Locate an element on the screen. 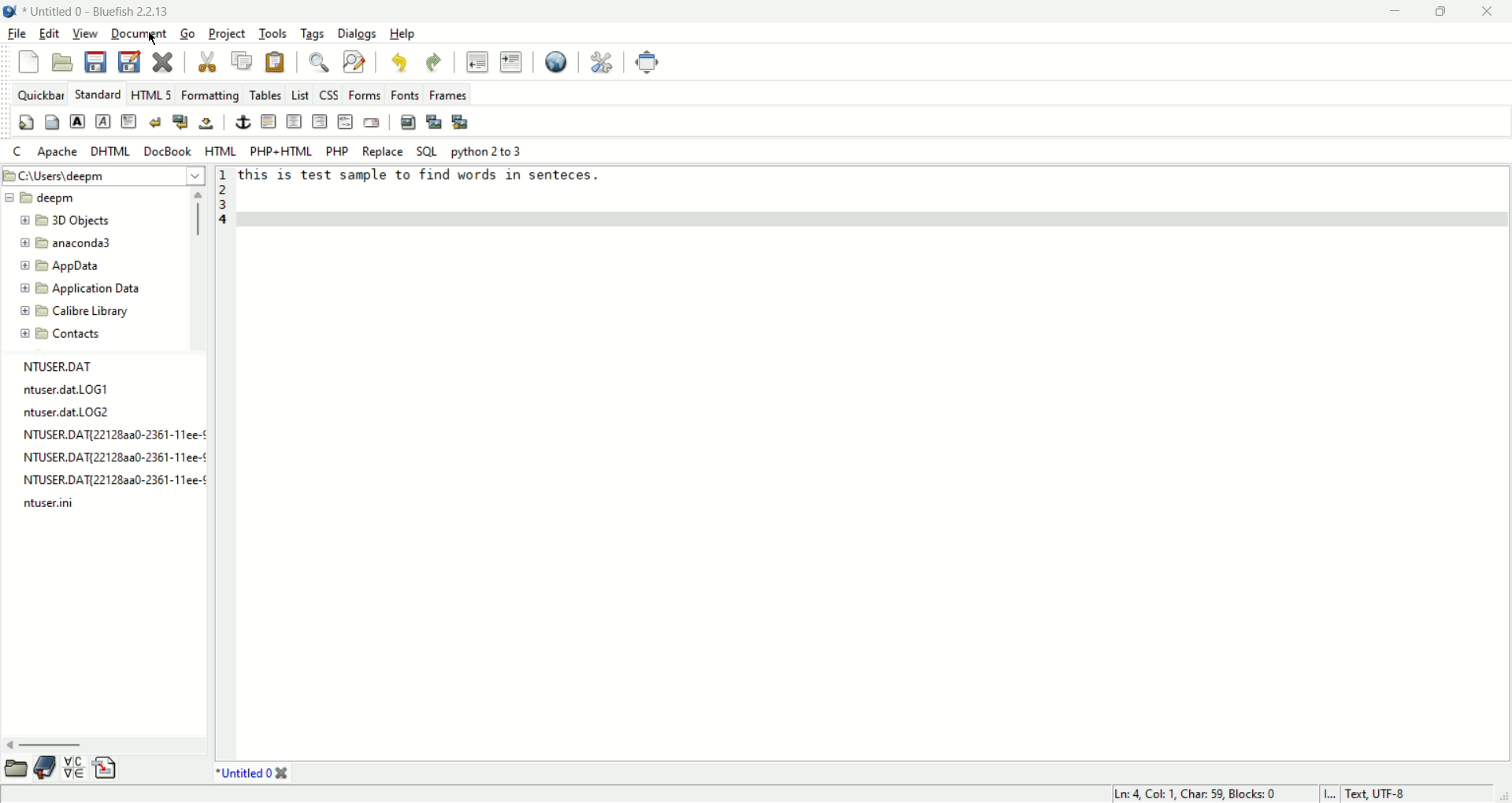  3D Objects is located at coordinates (97, 221).